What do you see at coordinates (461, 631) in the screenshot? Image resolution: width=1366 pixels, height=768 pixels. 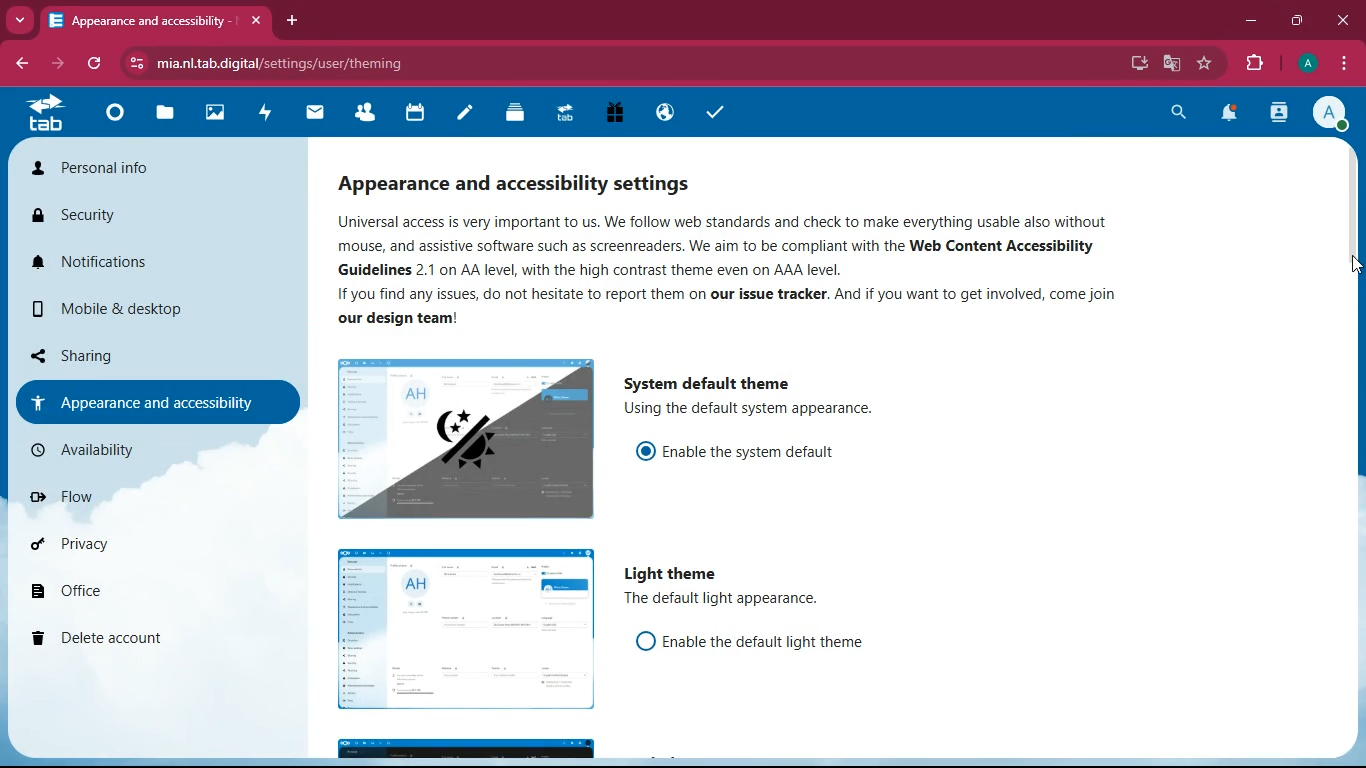 I see `image` at bounding box center [461, 631].